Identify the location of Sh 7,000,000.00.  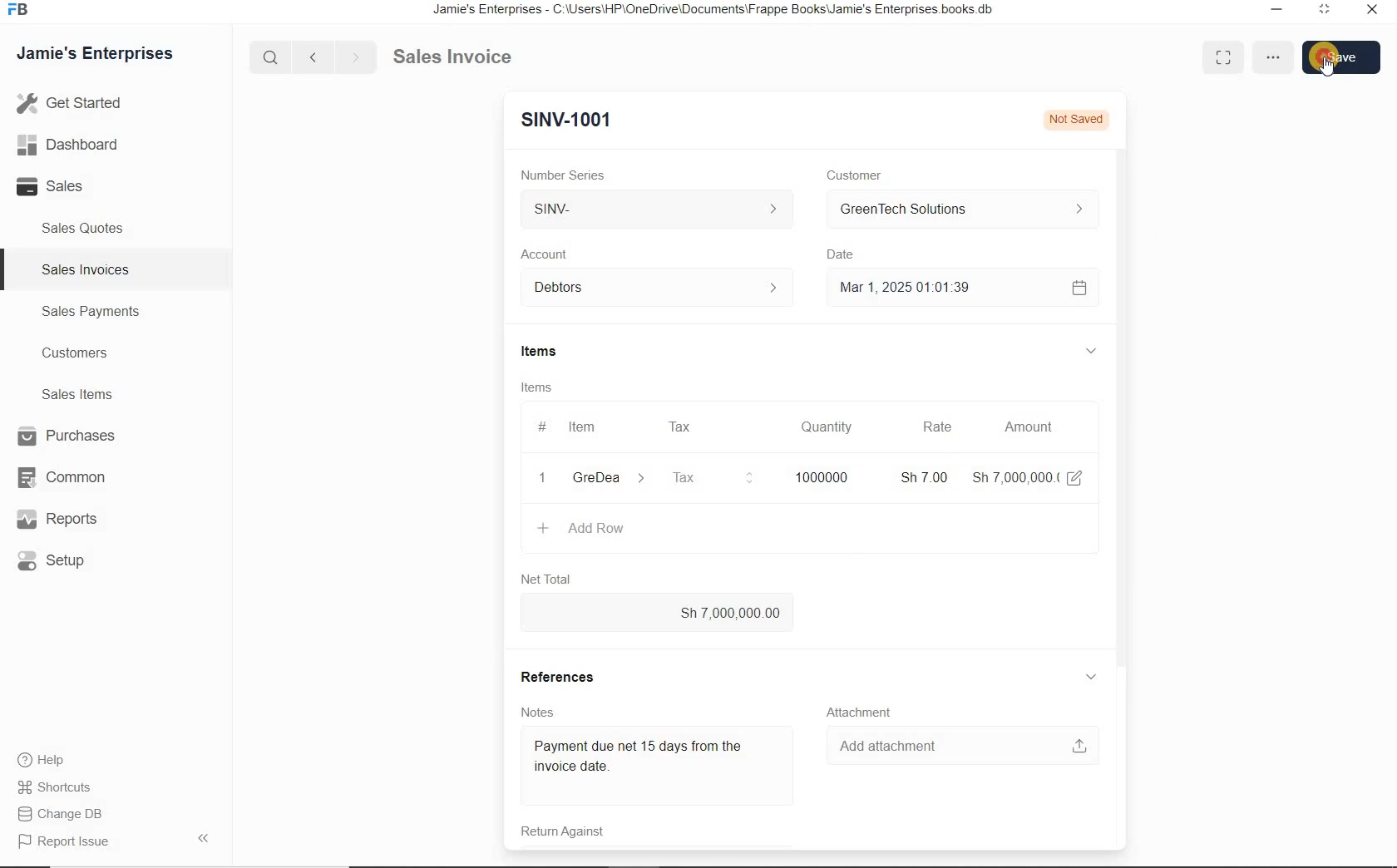
(658, 613).